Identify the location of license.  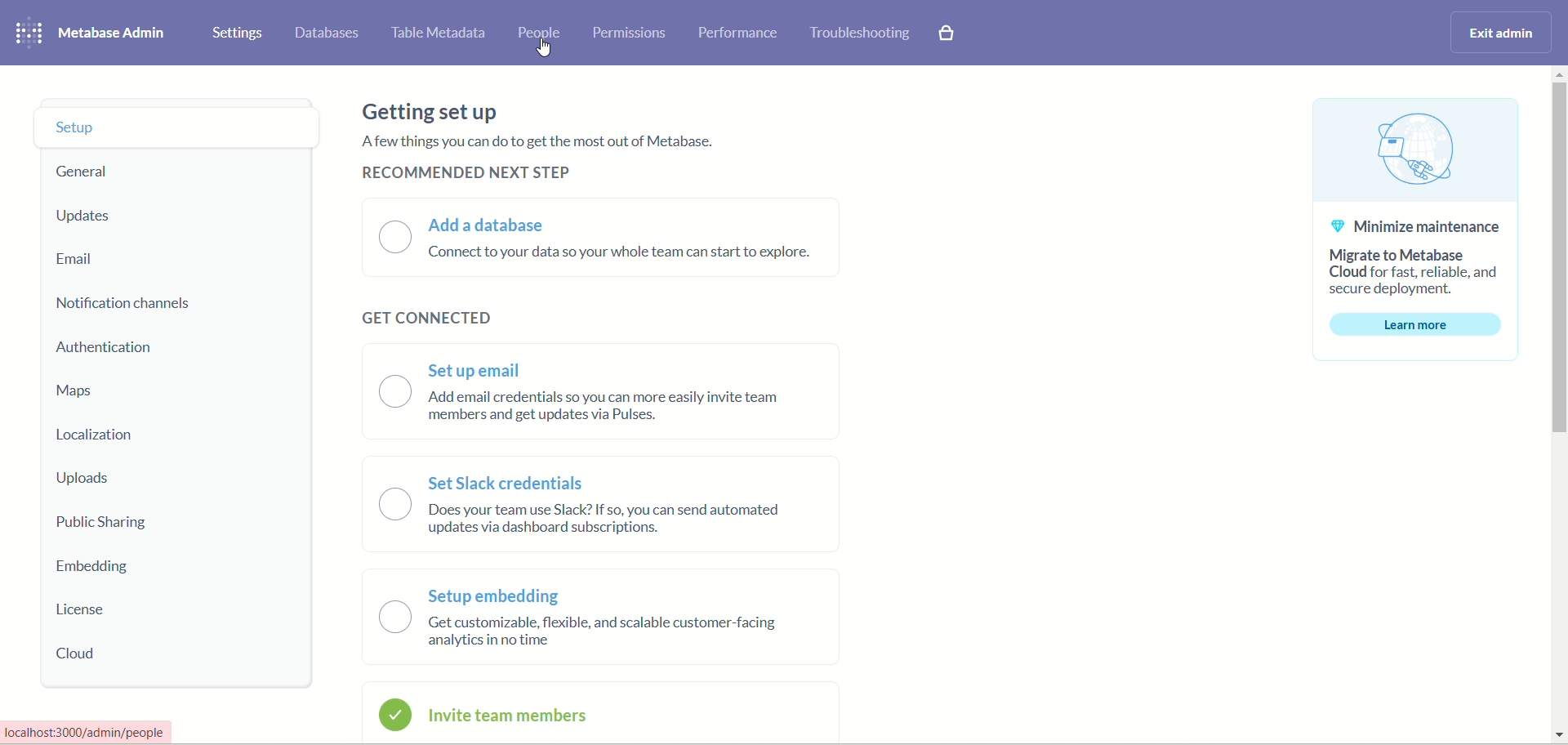
(90, 611).